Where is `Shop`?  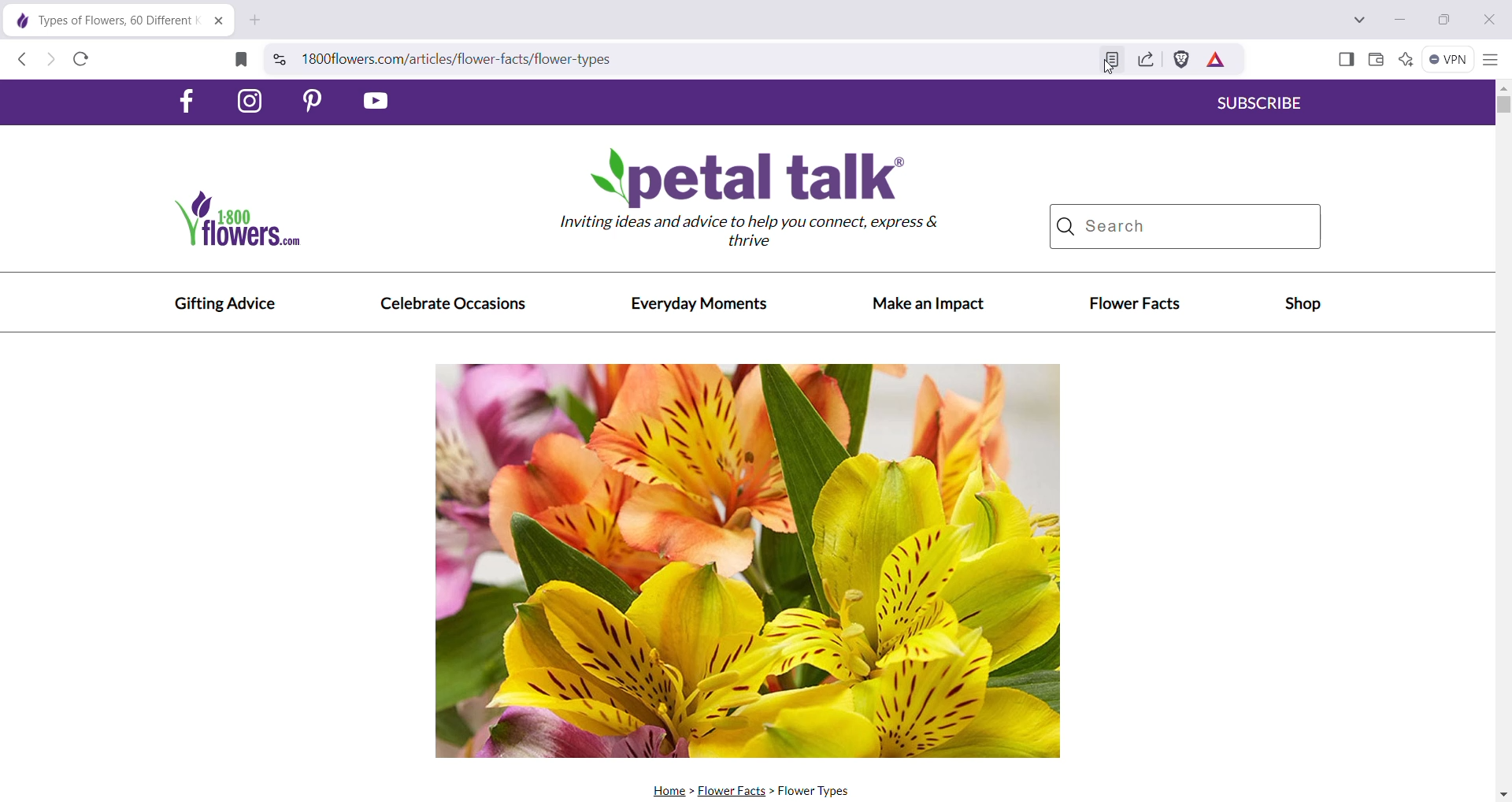
Shop is located at coordinates (1302, 306).